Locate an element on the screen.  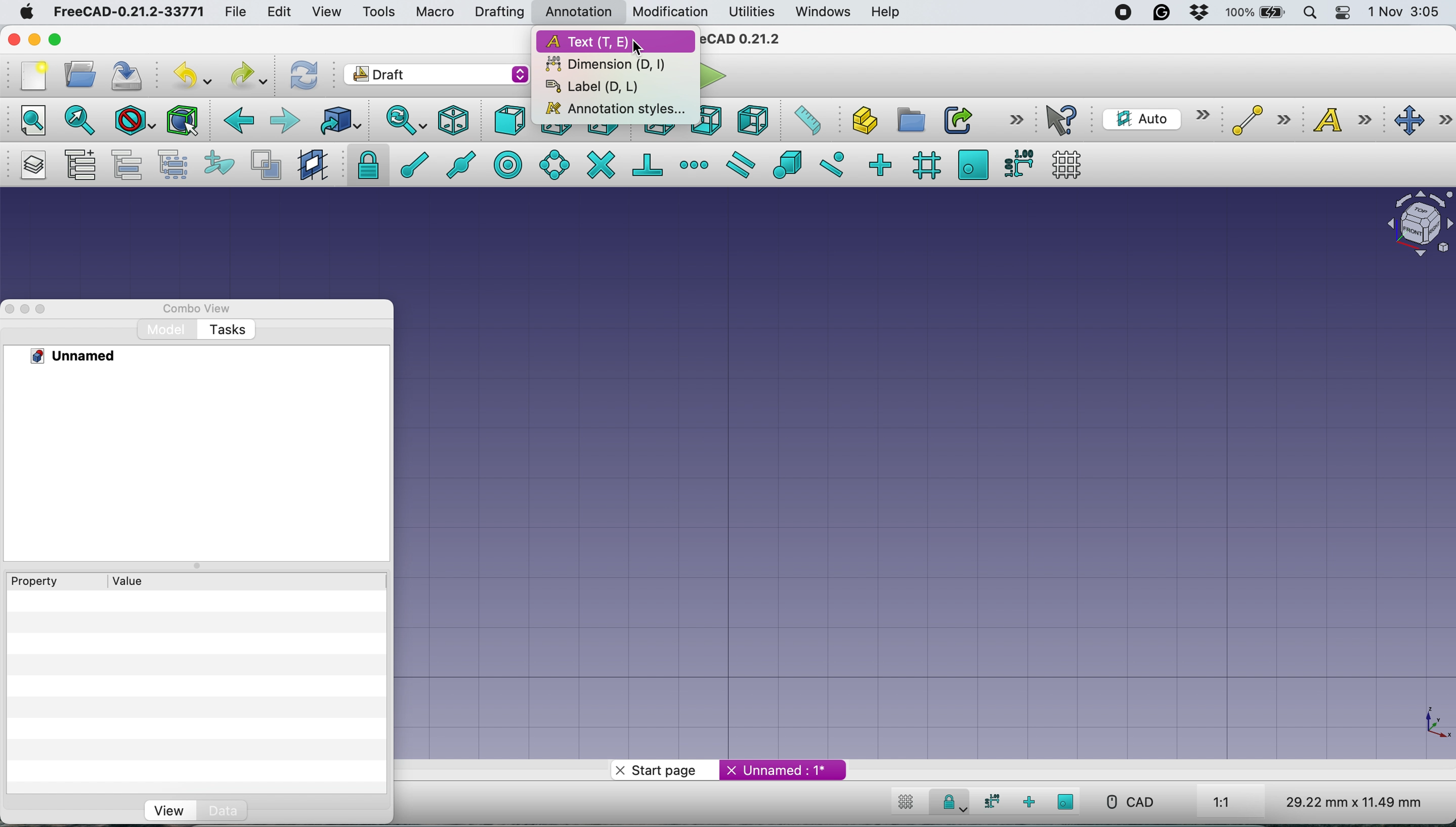
help is located at coordinates (884, 14).